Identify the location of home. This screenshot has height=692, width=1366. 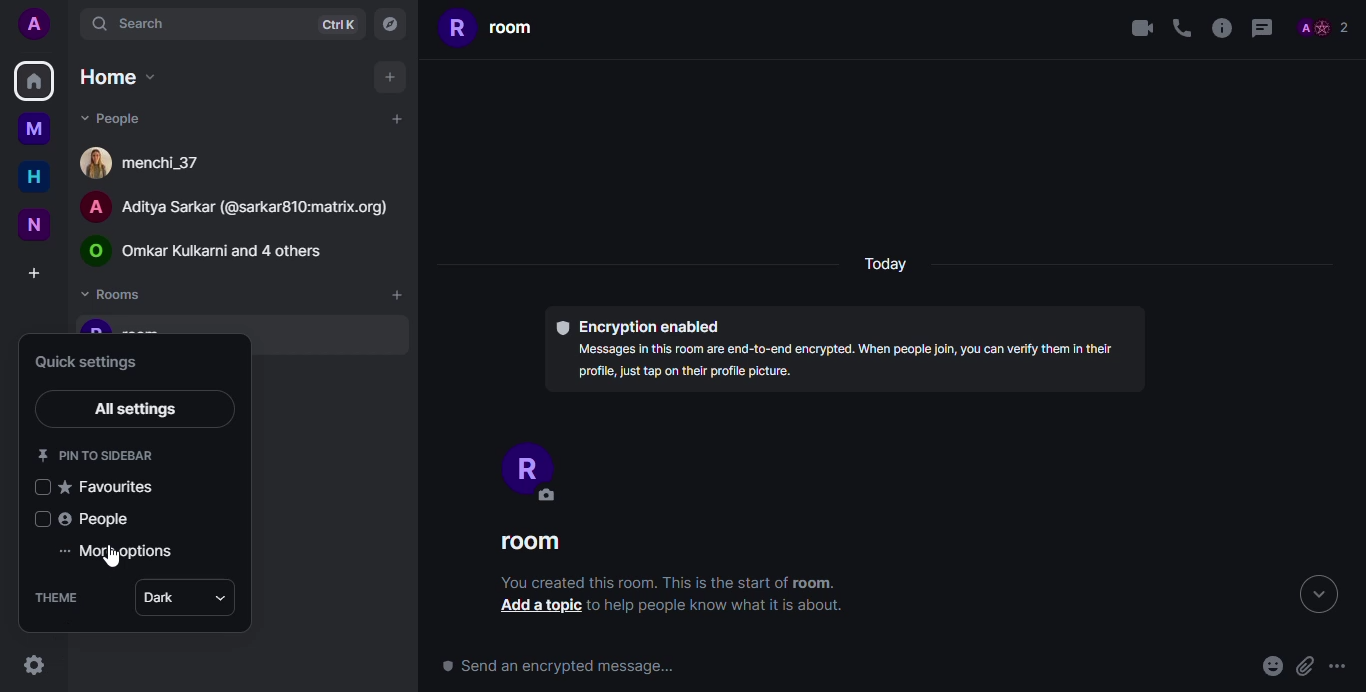
(35, 81).